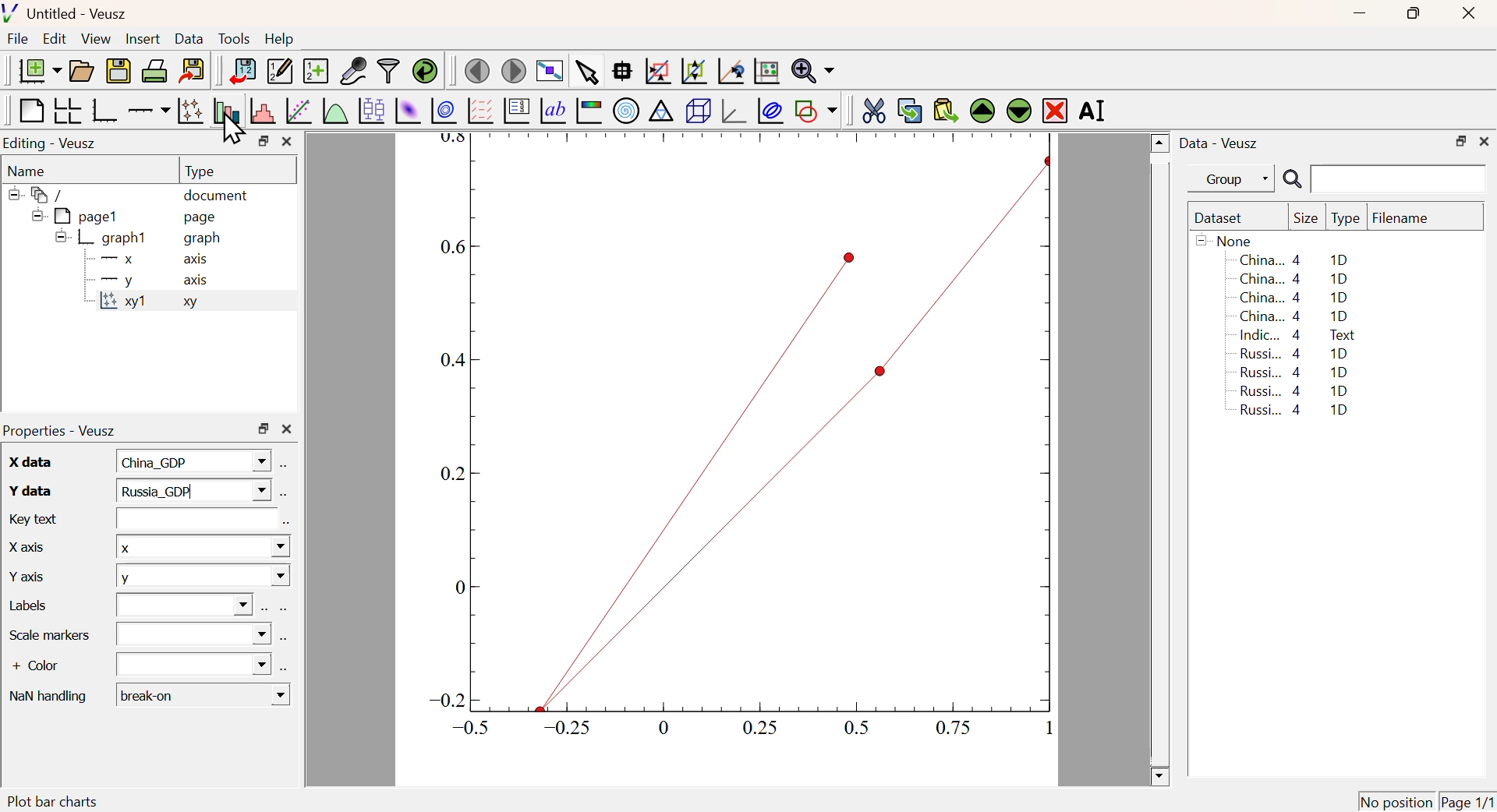  I want to click on Edit or add new data sets, so click(278, 72).